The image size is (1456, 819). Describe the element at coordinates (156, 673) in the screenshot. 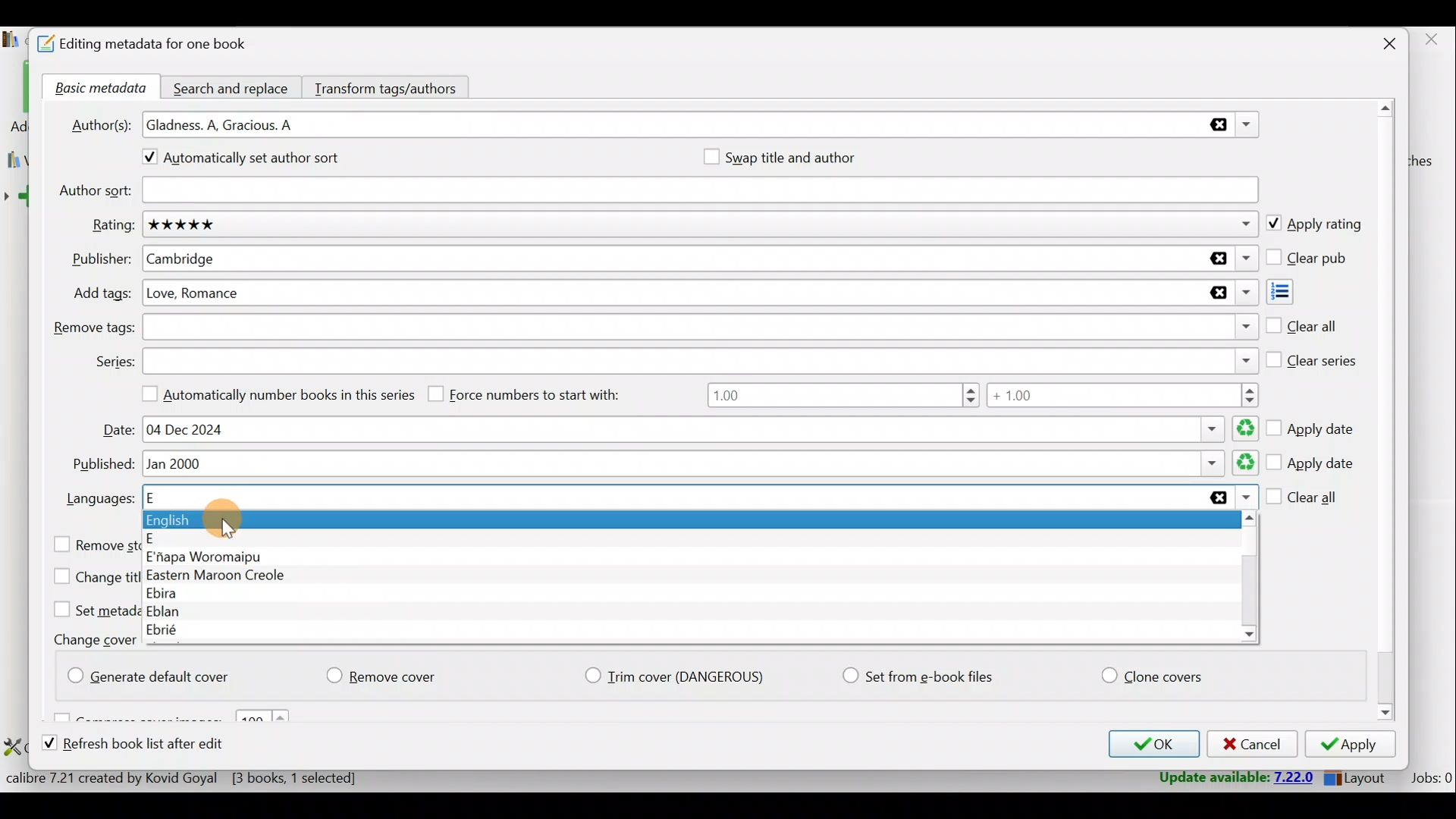

I see `Generate default cover` at that location.